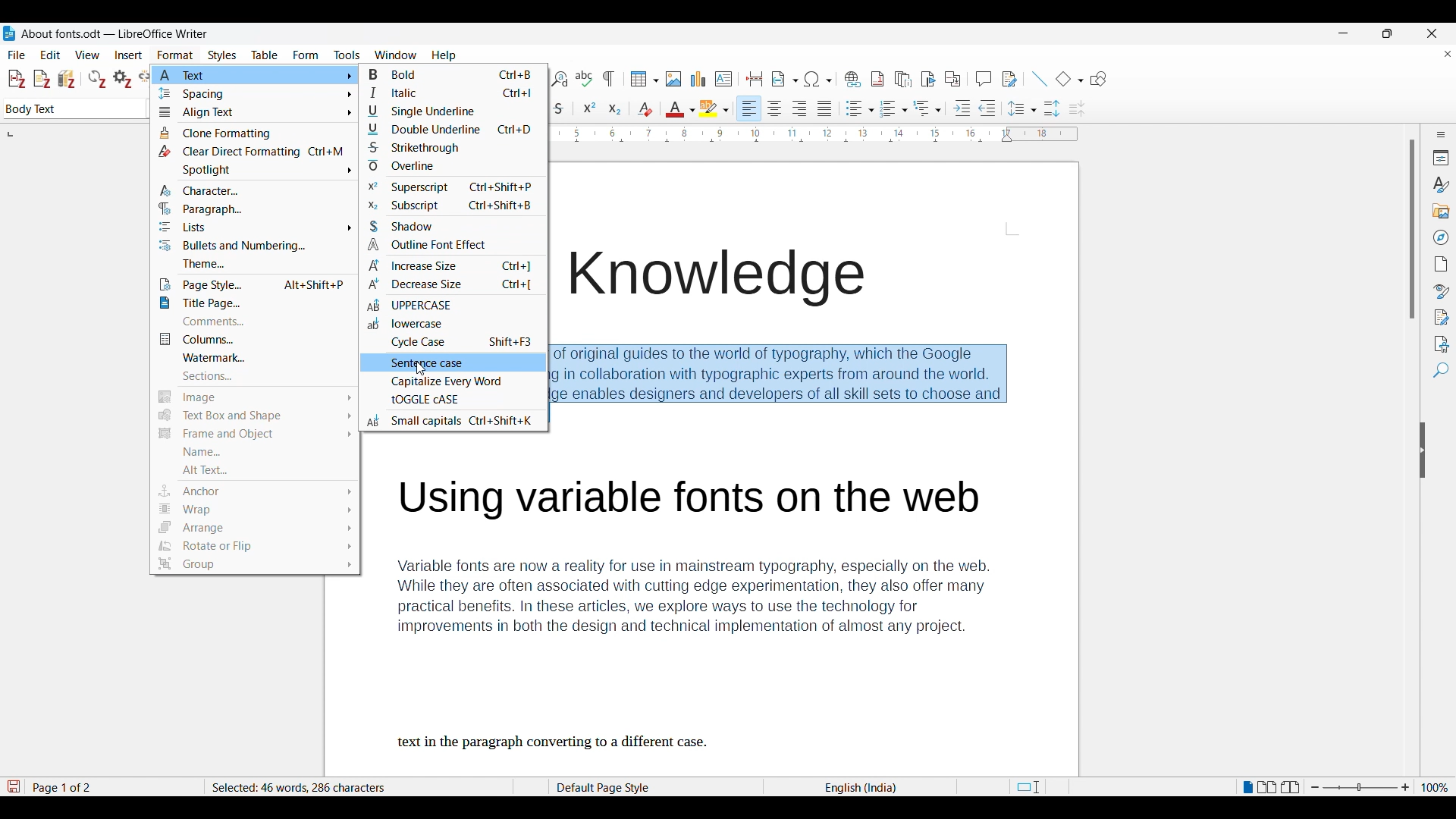 The width and height of the screenshot is (1456, 819). What do you see at coordinates (447, 76) in the screenshot?
I see `Bold` at bounding box center [447, 76].